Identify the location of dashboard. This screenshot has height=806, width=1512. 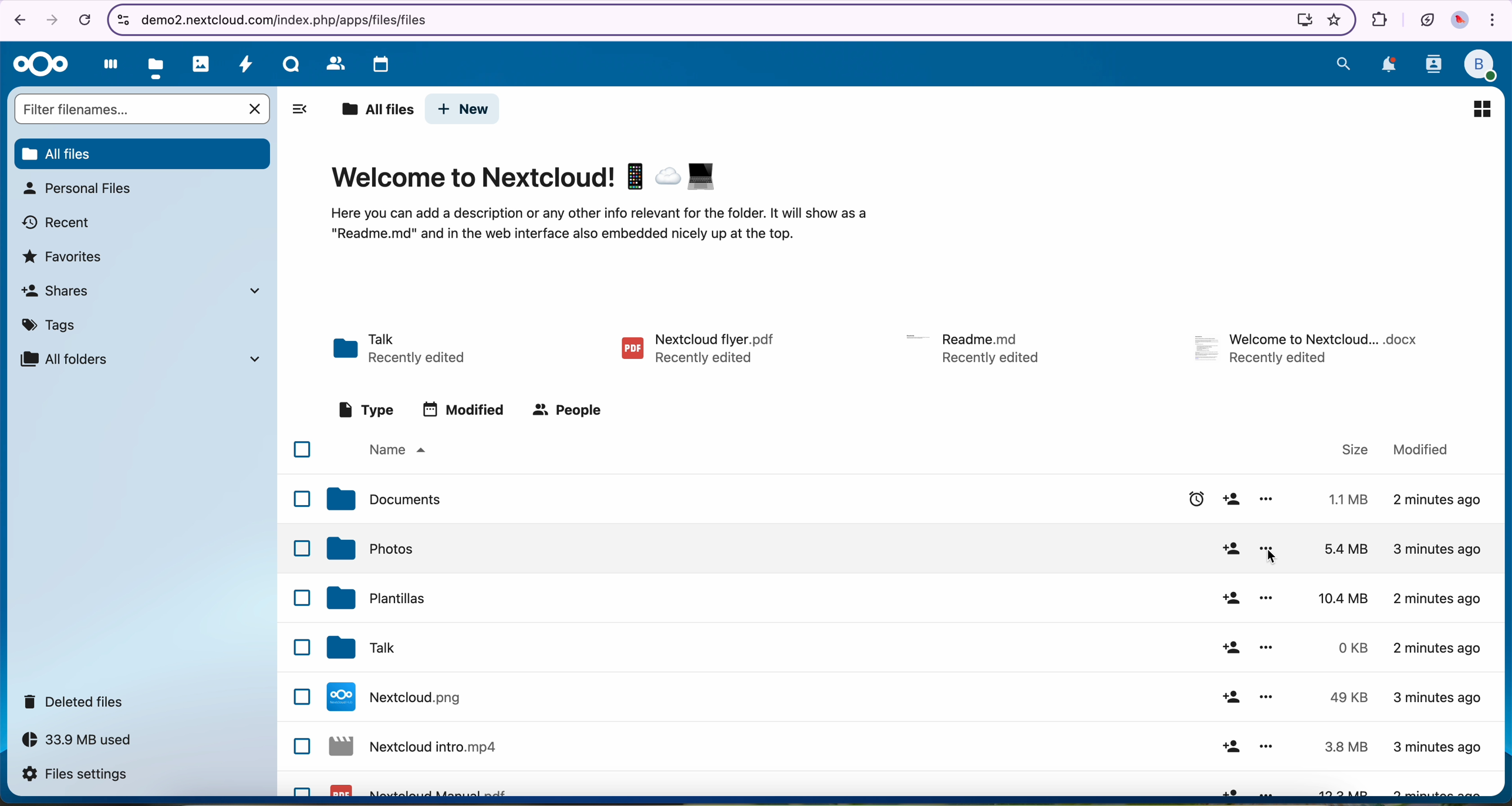
(107, 63).